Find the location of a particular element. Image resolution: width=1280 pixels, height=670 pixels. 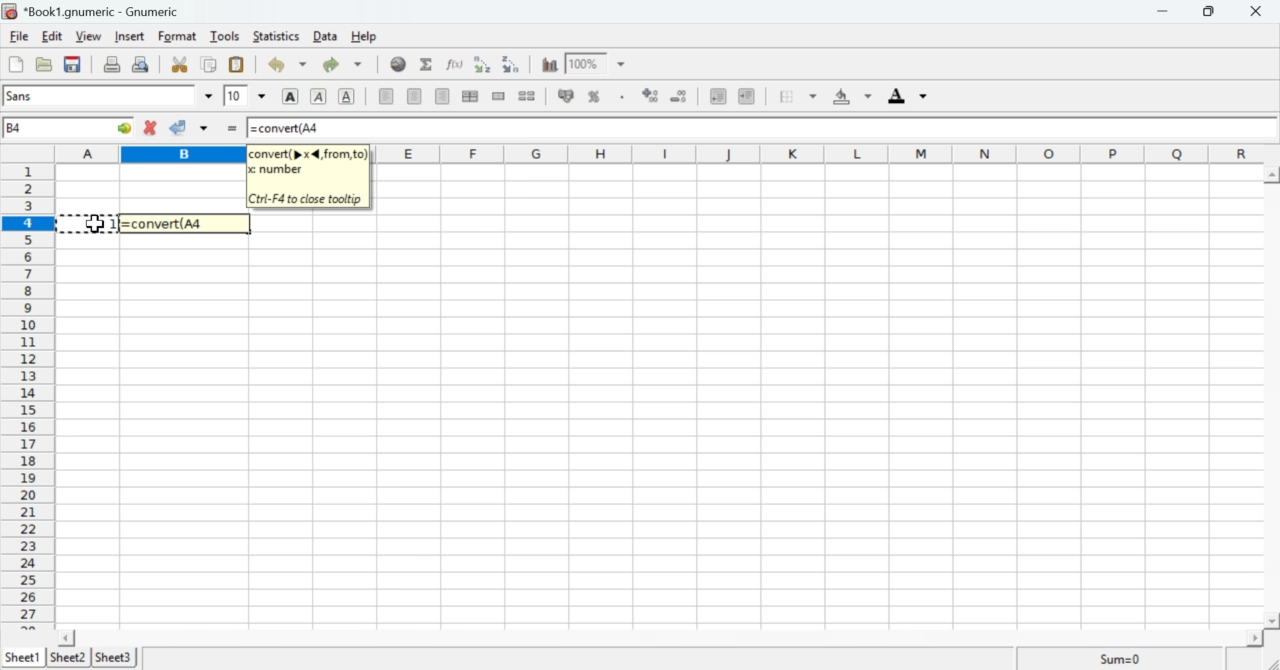

Italics is located at coordinates (320, 97).